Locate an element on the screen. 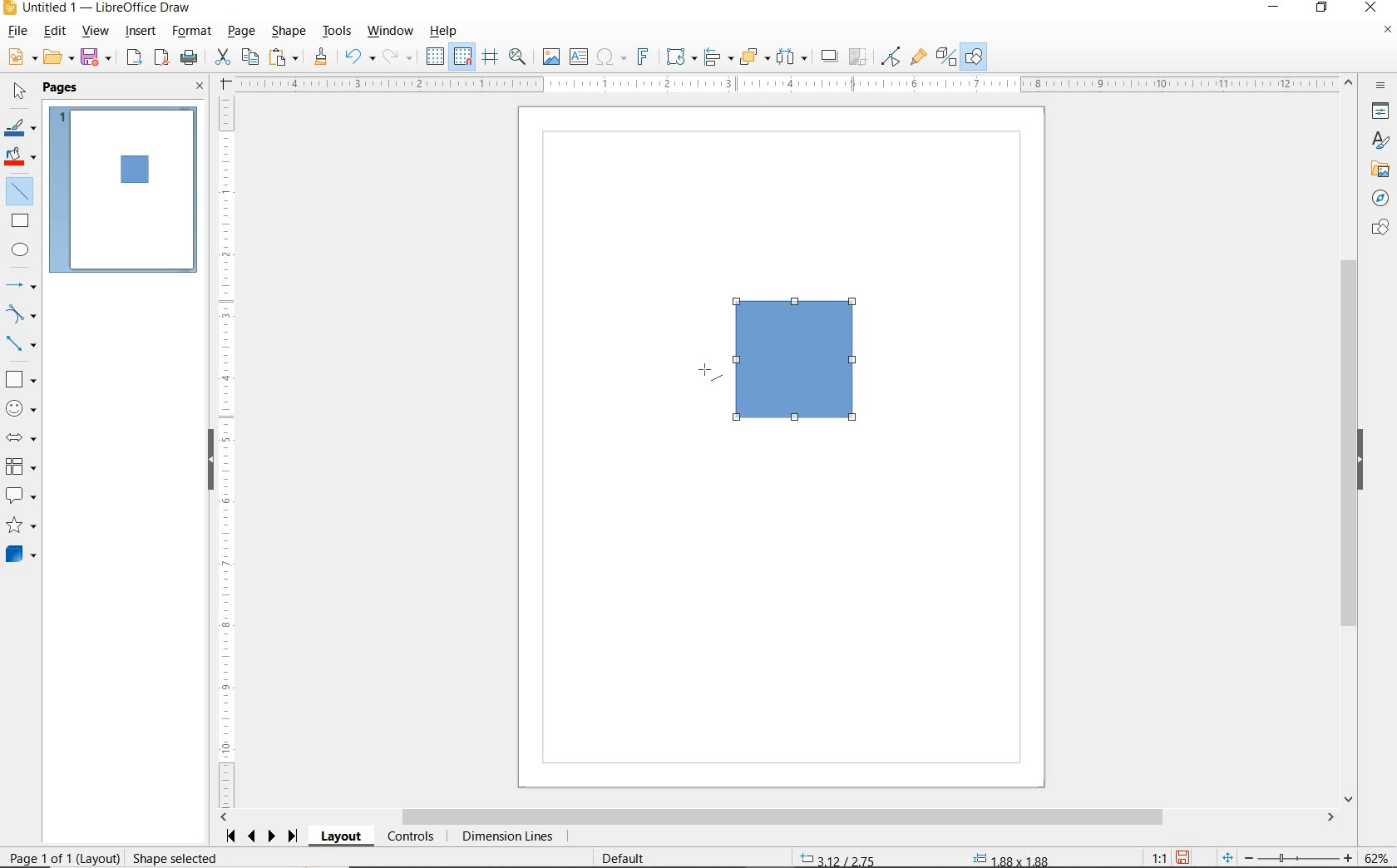 This screenshot has width=1397, height=868. ARRANGE is located at coordinates (755, 56).